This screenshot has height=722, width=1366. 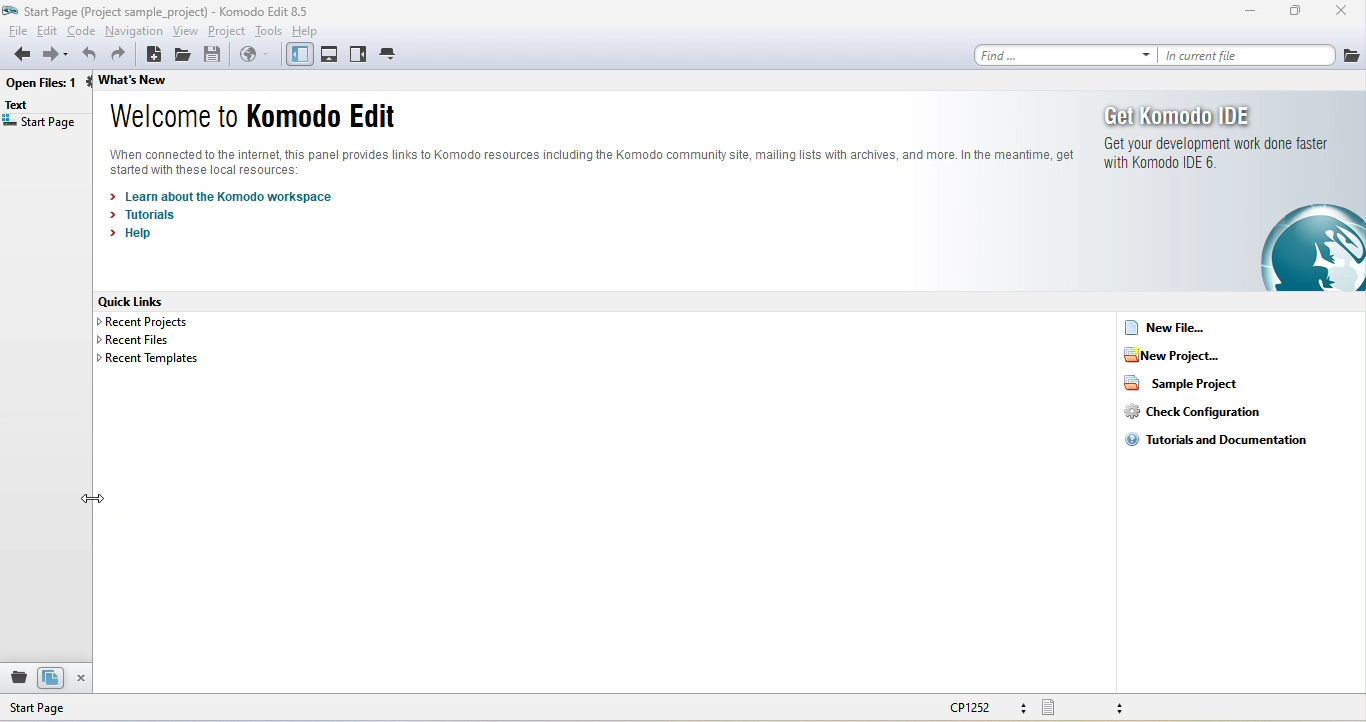 What do you see at coordinates (1311, 247) in the screenshot?
I see `image` at bounding box center [1311, 247].